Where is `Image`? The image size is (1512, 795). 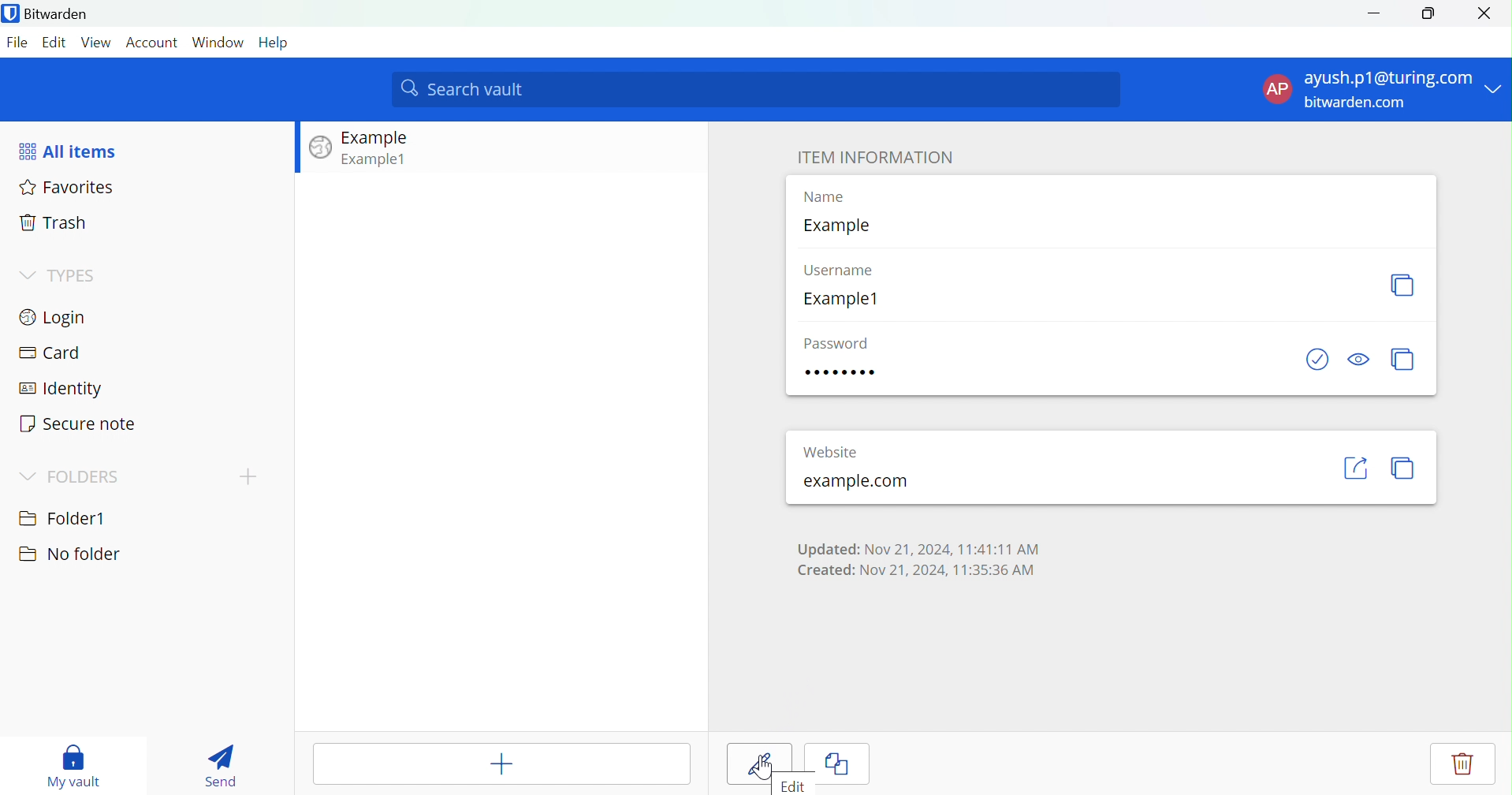
Image is located at coordinates (321, 148).